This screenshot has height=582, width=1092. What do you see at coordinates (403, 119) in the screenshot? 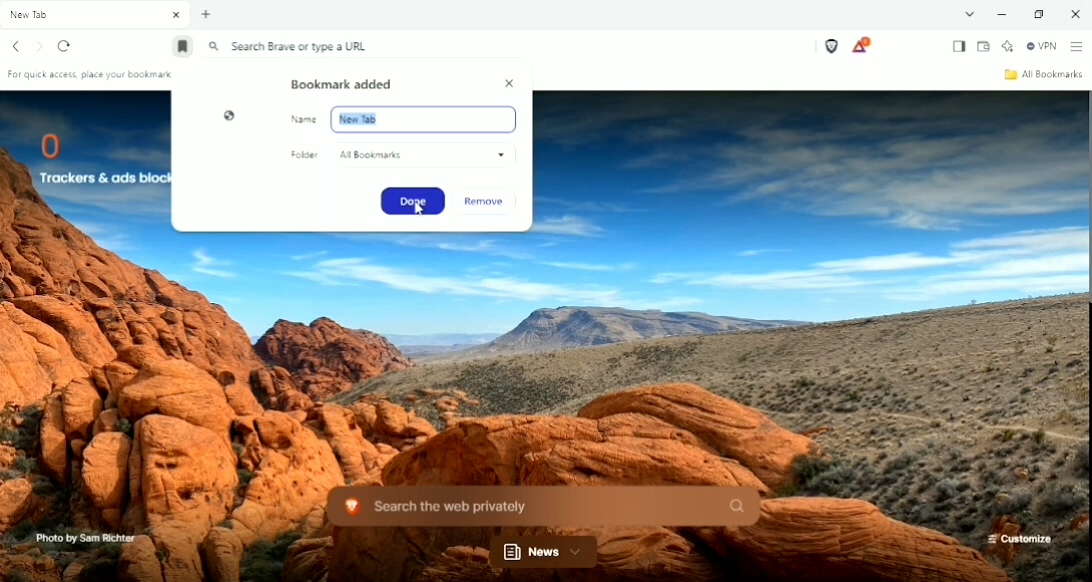
I see `Name` at bounding box center [403, 119].